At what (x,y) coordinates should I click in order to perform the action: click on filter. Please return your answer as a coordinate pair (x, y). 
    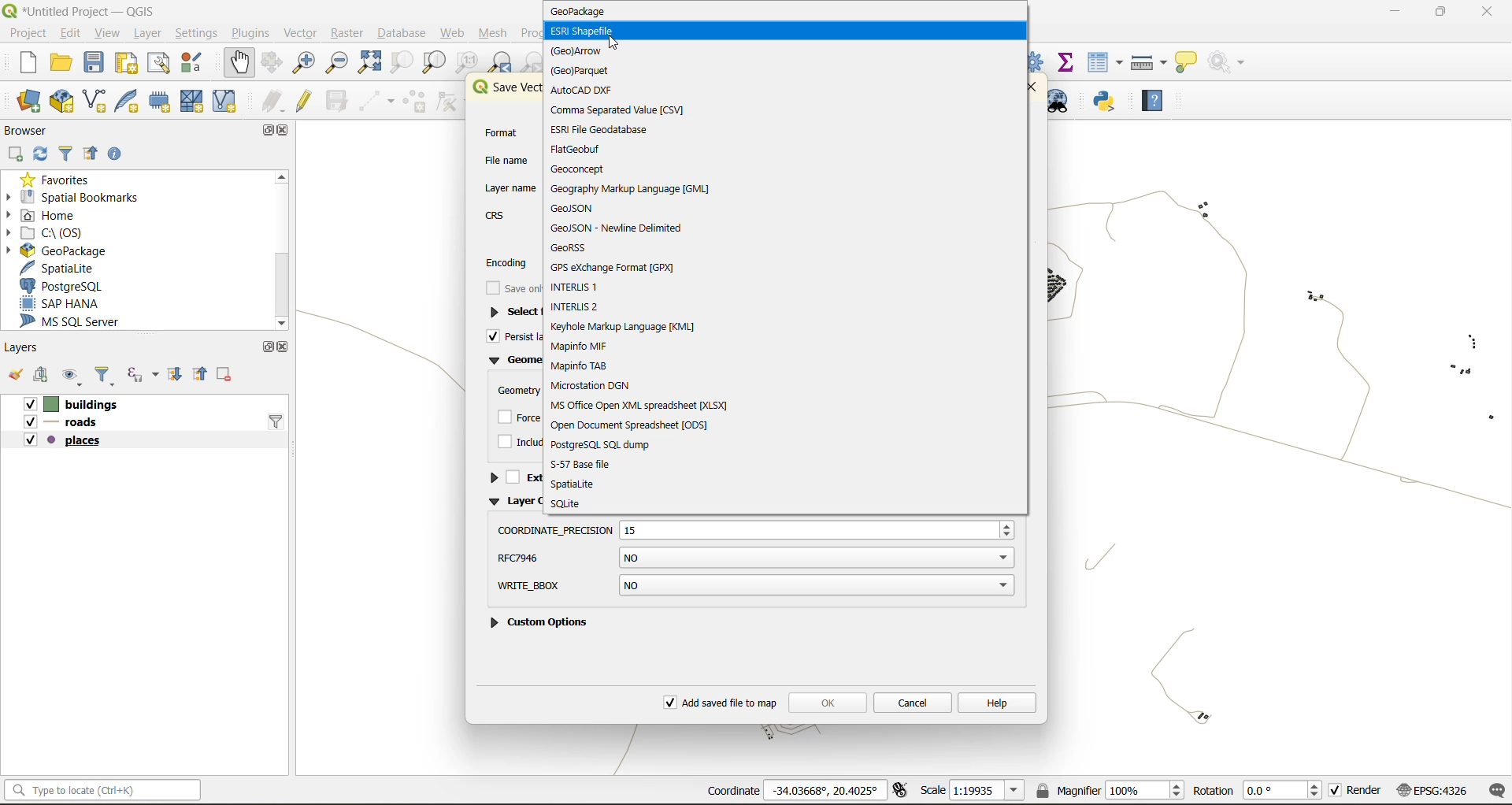
    Looking at the image, I should click on (278, 421).